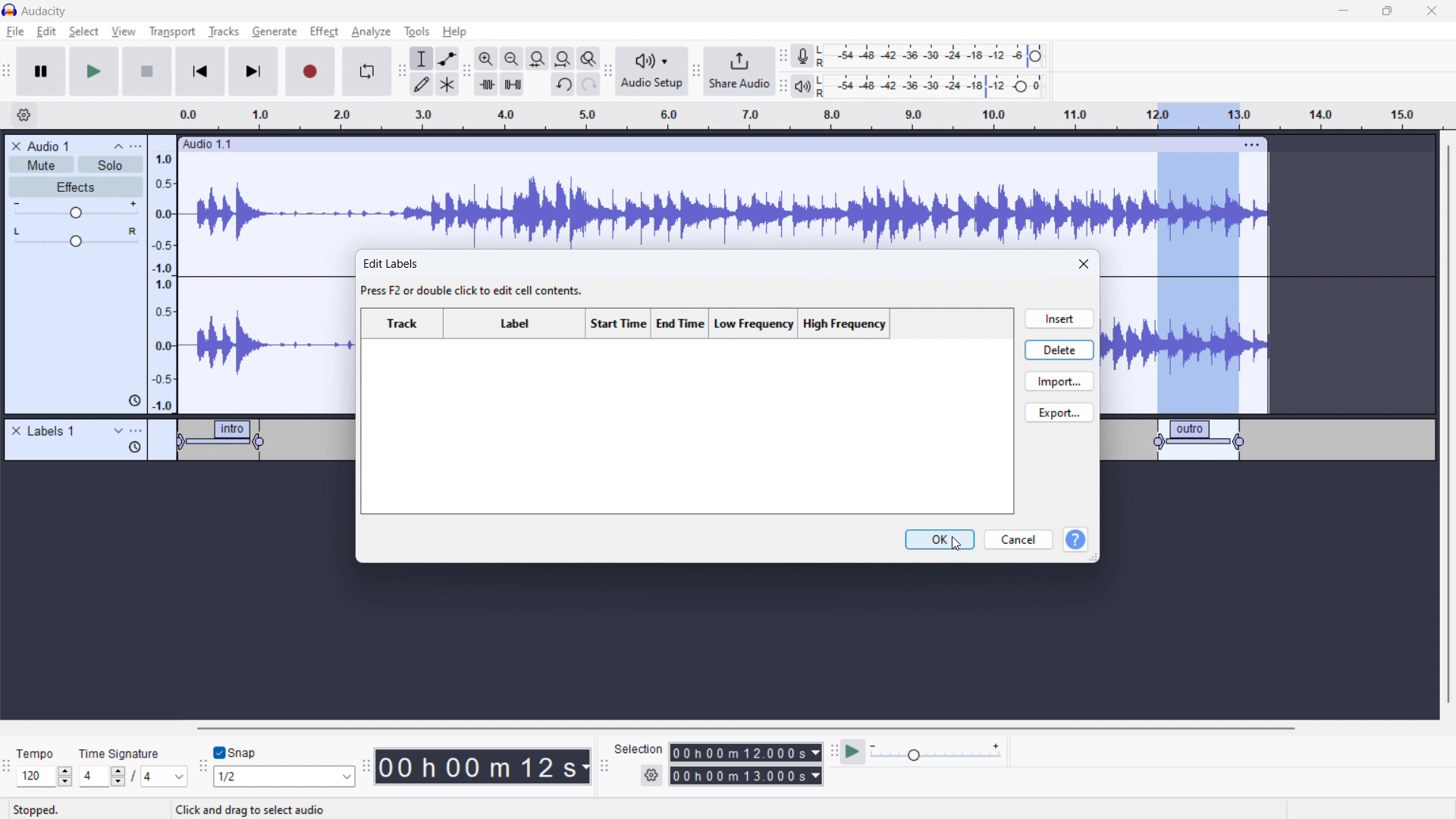 The width and height of the screenshot is (1456, 819). I want to click on silence audio selection, so click(513, 84).